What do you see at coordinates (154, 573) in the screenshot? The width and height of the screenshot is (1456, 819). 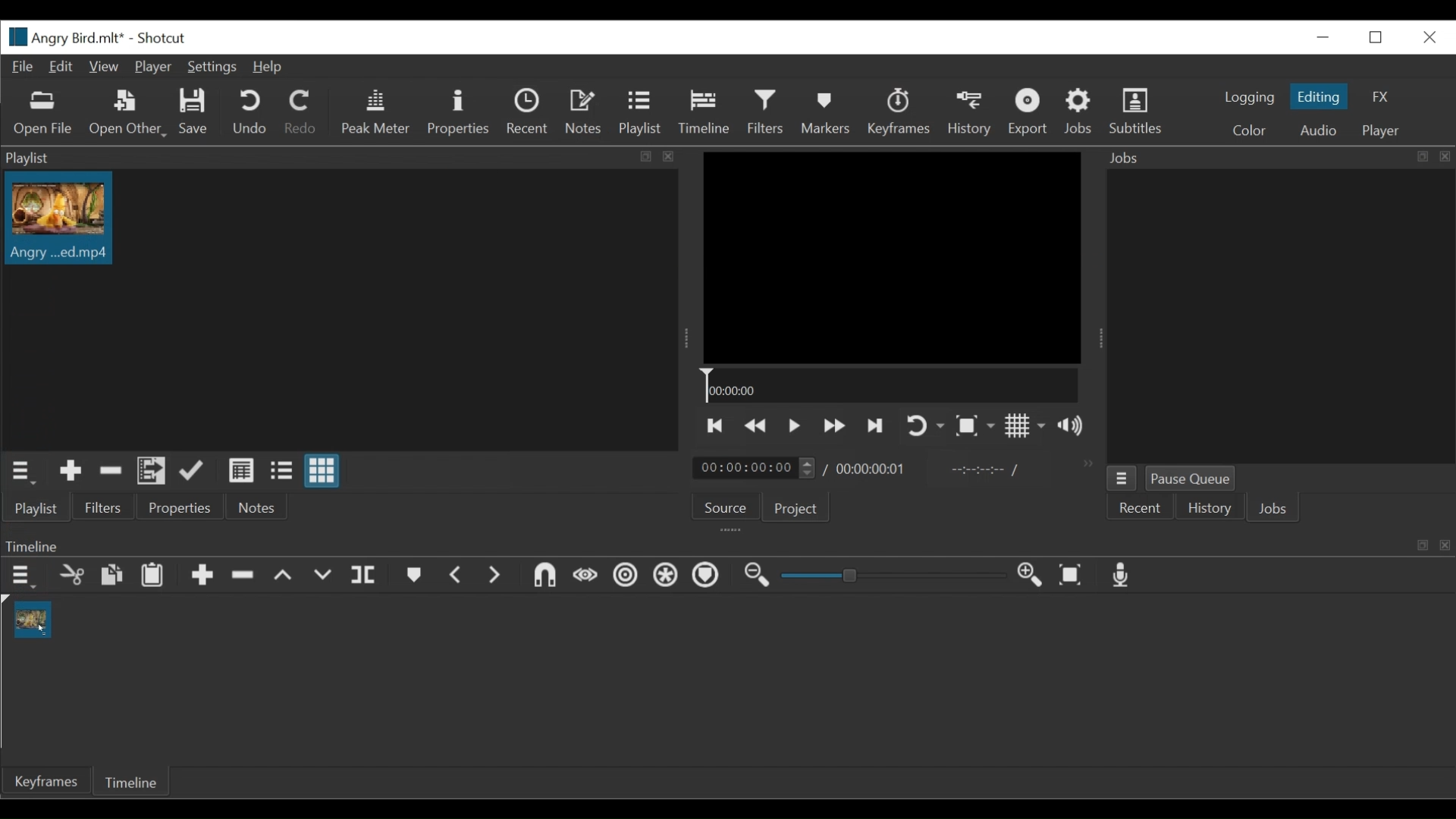 I see `Paste` at bounding box center [154, 573].